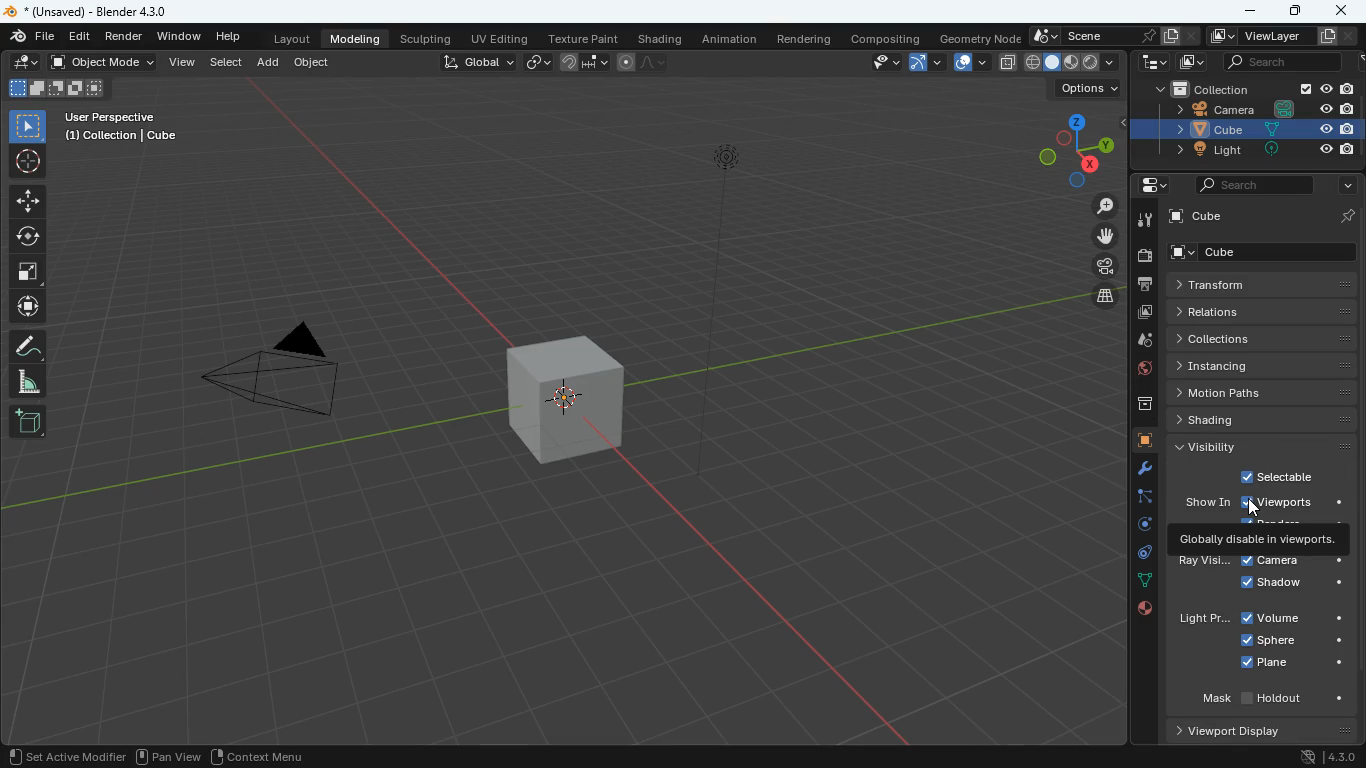  Describe the element at coordinates (103, 63) in the screenshot. I see `object mode` at that location.